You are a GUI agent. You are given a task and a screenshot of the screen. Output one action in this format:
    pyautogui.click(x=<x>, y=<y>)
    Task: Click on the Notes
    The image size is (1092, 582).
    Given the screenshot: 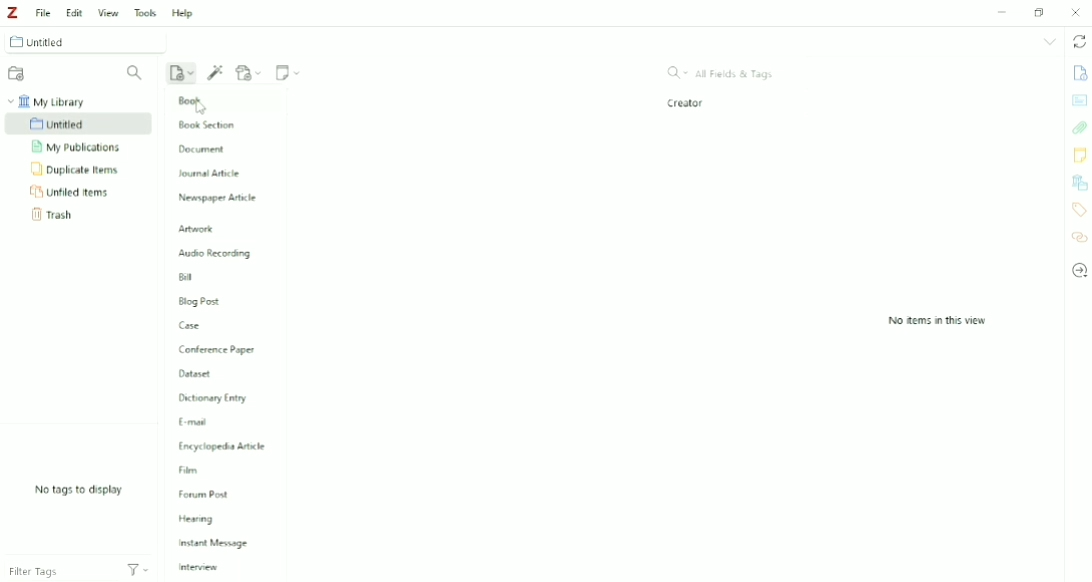 What is the action you would take?
    pyautogui.click(x=1079, y=155)
    